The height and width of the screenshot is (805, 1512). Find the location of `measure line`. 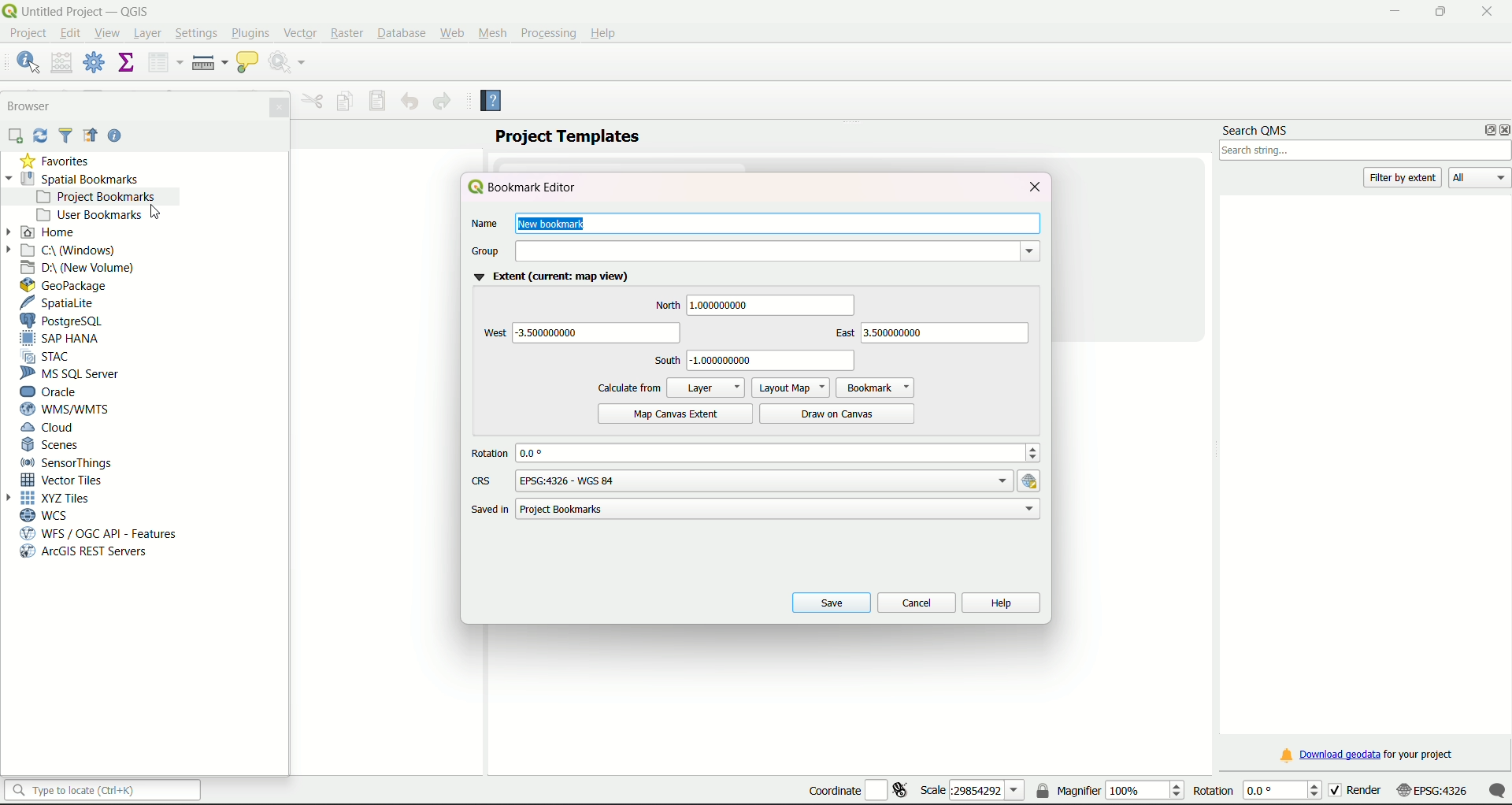

measure line is located at coordinates (209, 63).